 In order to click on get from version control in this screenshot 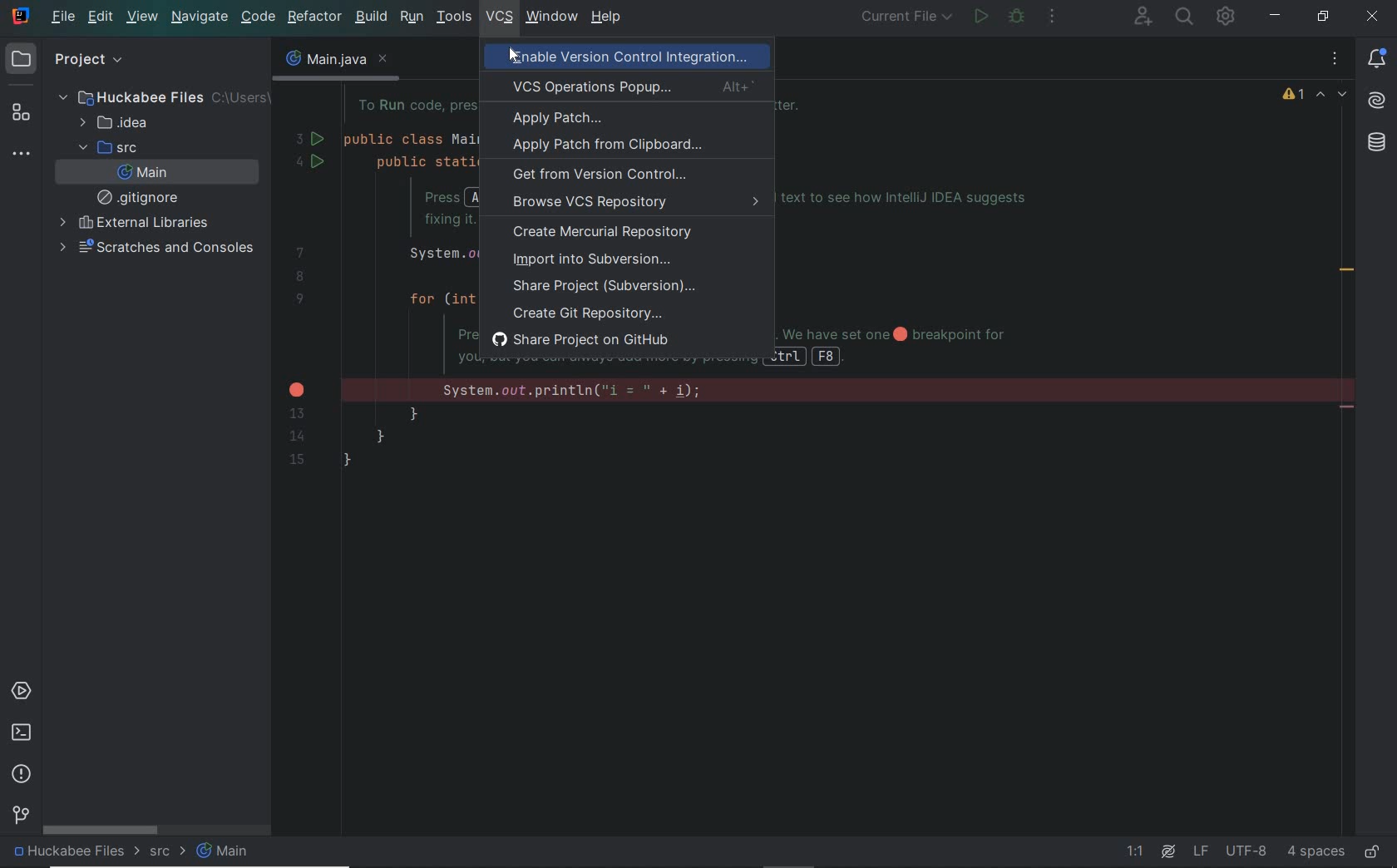, I will do `click(600, 175)`.